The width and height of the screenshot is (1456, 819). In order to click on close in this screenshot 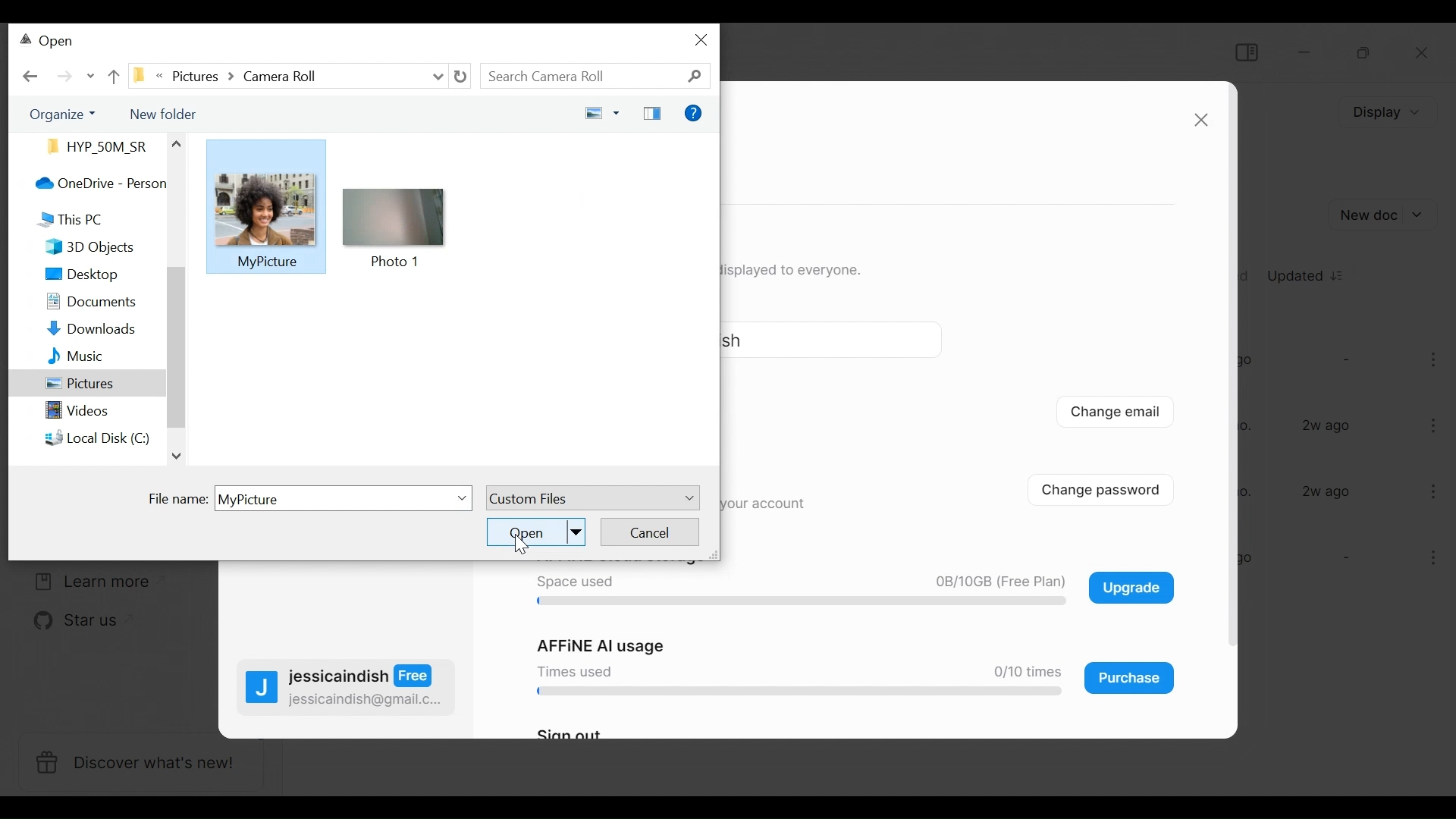, I will do `click(1200, 121)`.